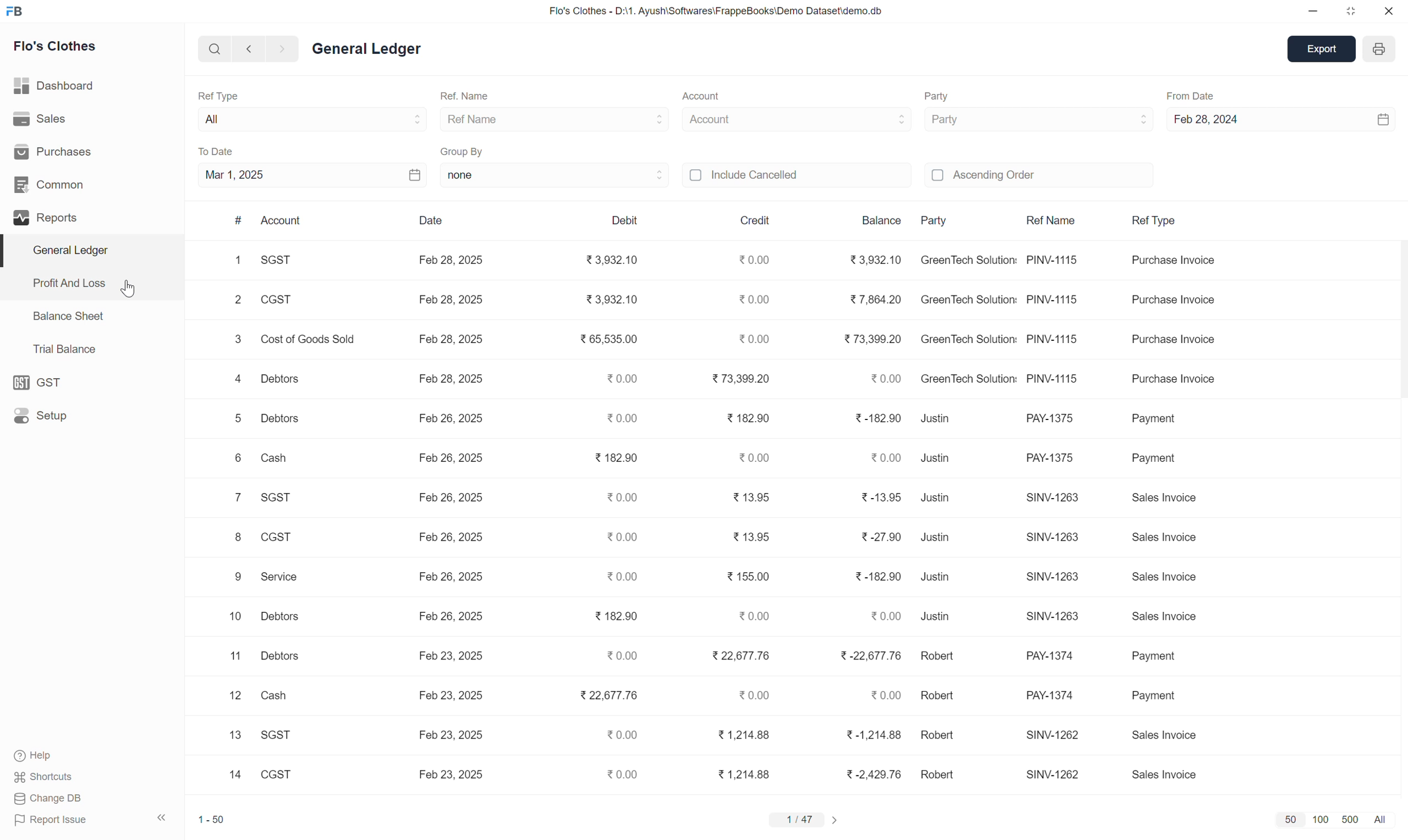  I want to click on ₹0.00, so click(881, 379).